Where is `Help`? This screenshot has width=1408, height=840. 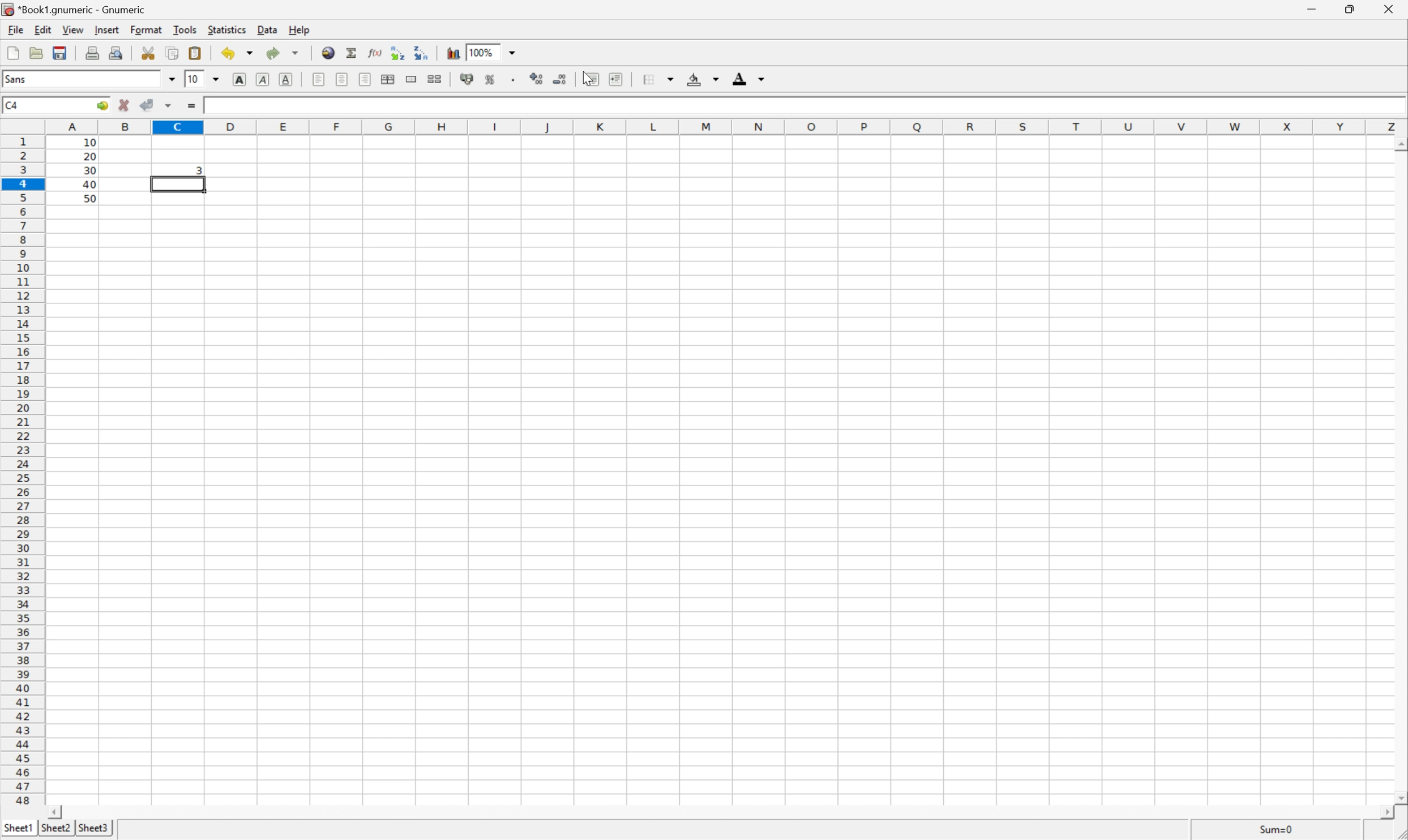 Help is located at coordinates (301, 28).